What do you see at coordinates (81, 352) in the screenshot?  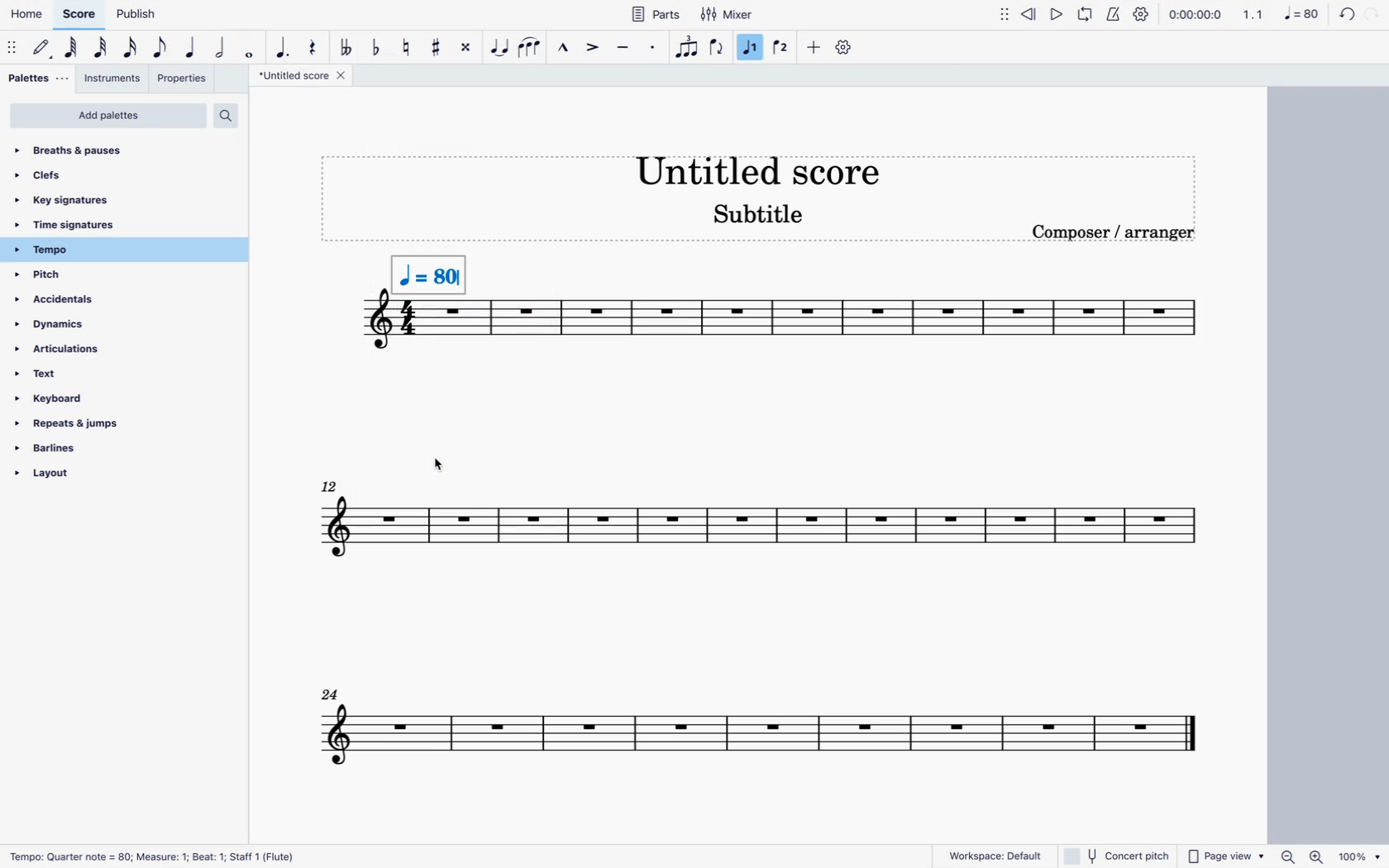 I see `articulations` at bounding box center [81, 352].